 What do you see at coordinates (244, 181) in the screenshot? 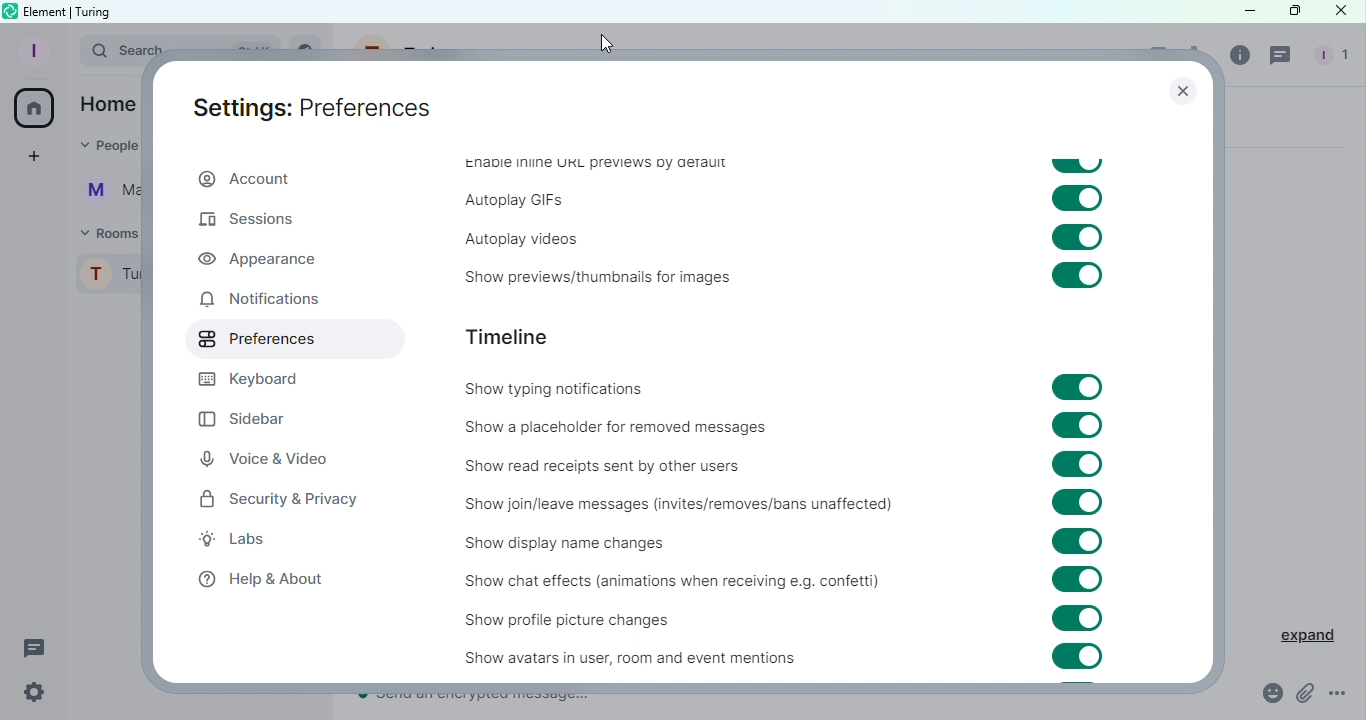
I see `Account` at bounding box center [244, 181].